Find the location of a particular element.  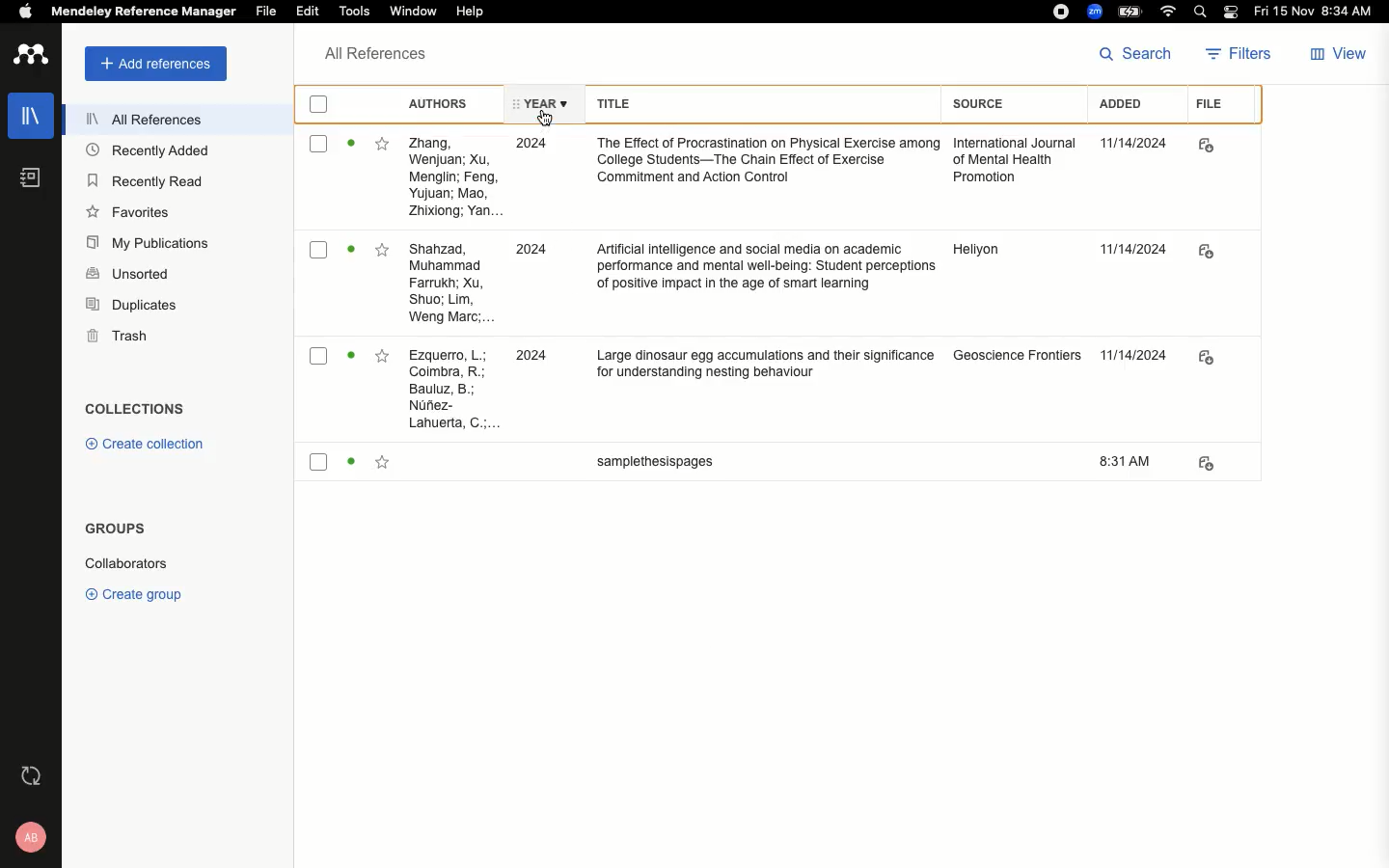

select document is located at coordinates (318, 147).